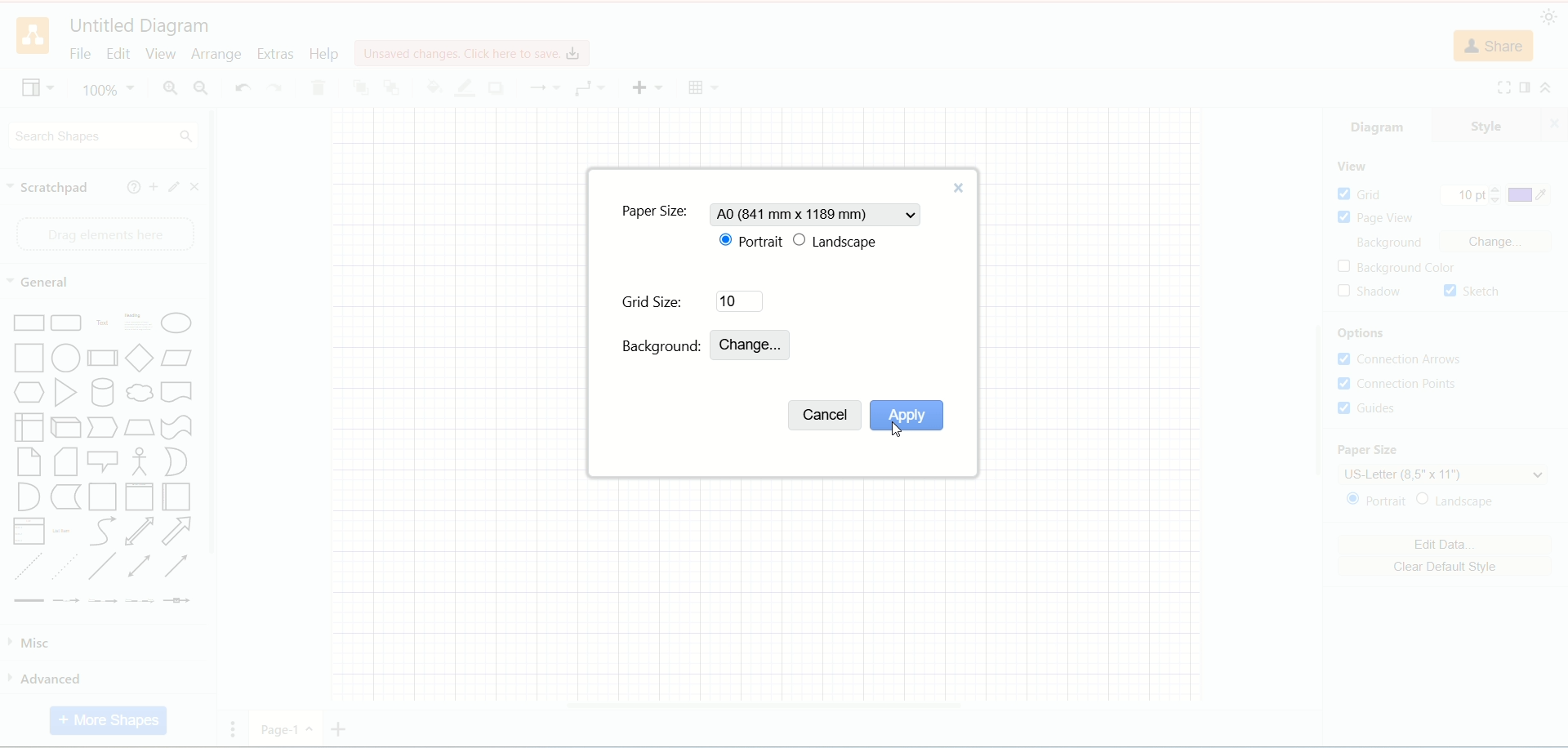 The image size is (1568, 748). What do you see at coordinates (67, 394) in the screenshot?
I see `Triangle` at bounding box center [67, 394].